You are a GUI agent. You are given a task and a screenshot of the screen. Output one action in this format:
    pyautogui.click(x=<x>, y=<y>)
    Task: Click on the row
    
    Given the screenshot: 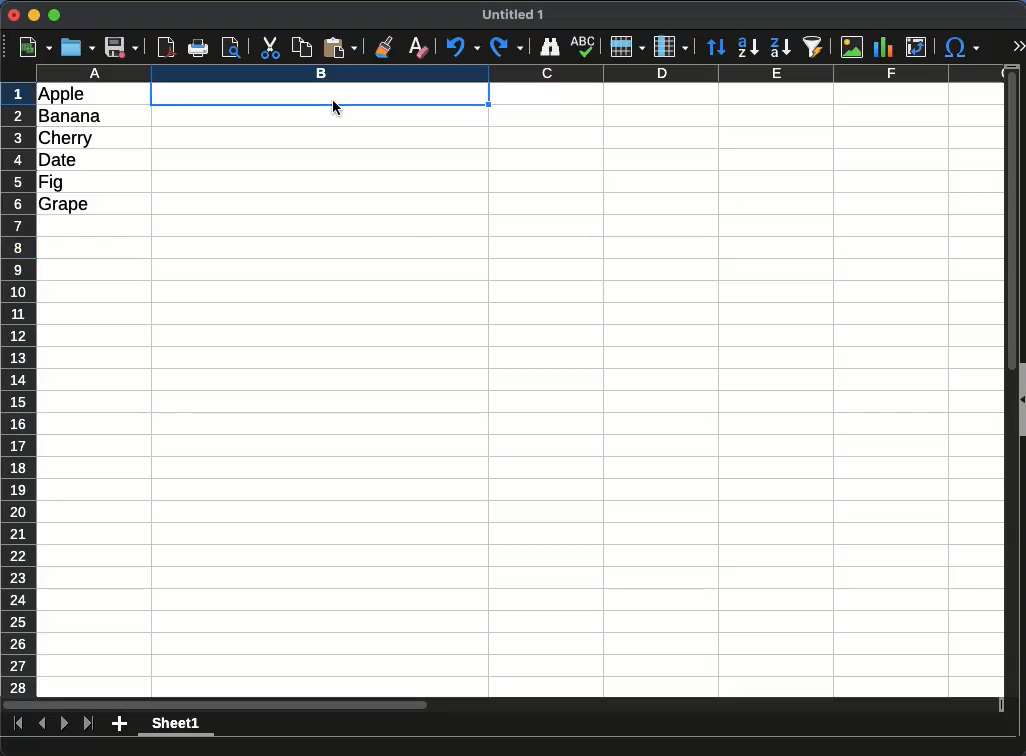 What is the action you would take?
    pyautogui.click(x=628, y=47)
    